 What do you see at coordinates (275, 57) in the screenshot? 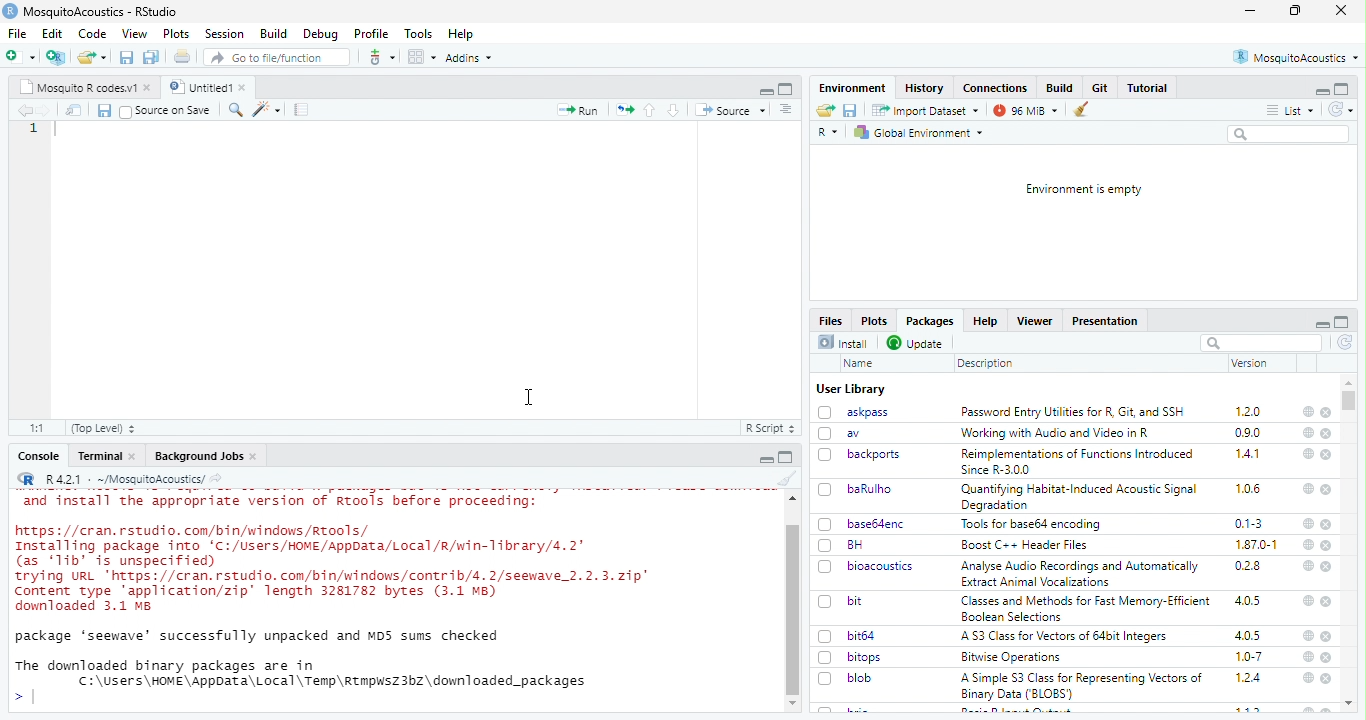
I see `Go to file/function` at bounding box center [275, 57].